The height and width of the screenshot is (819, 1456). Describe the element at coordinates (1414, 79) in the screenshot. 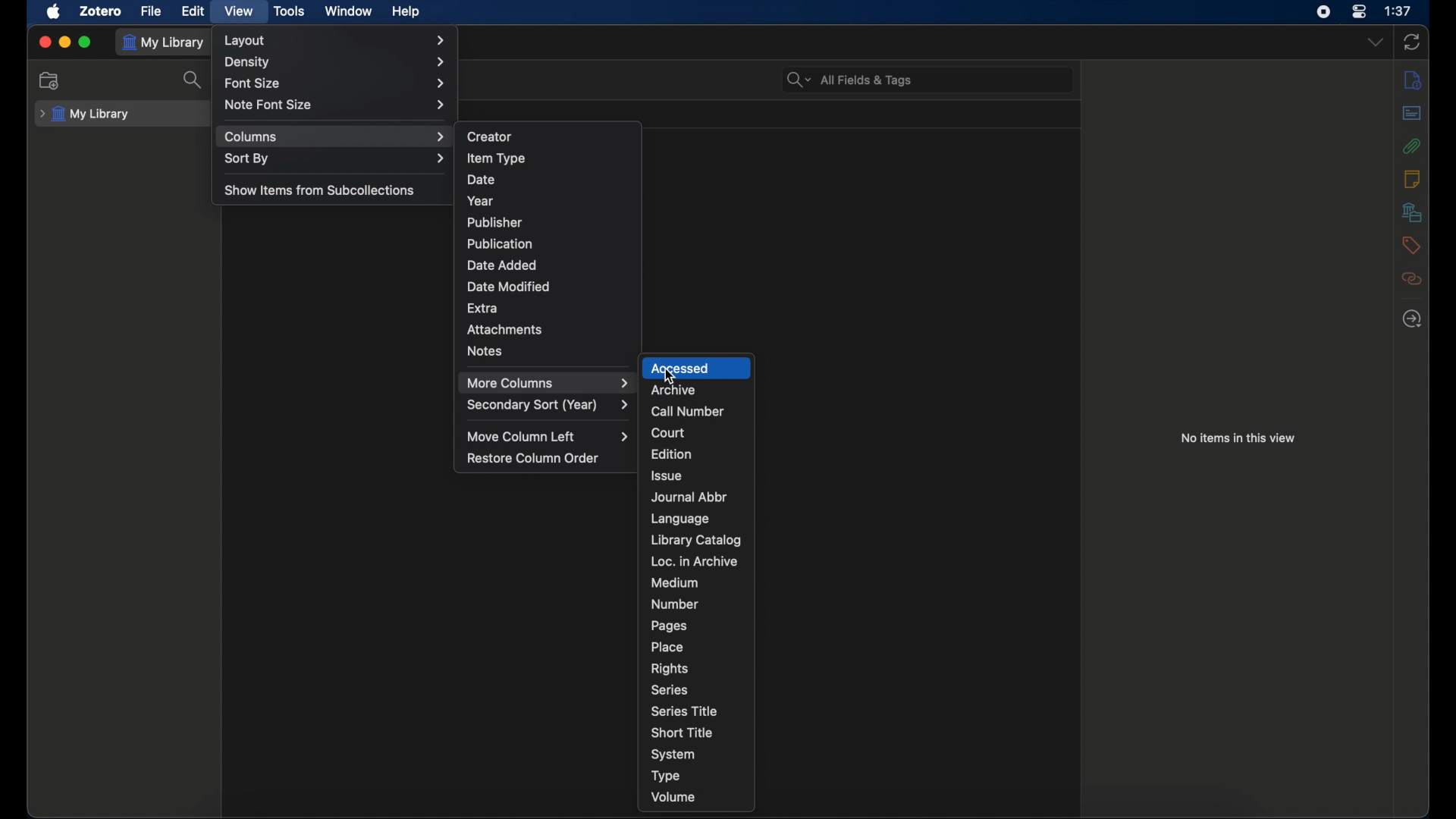

I see `info` at that location.